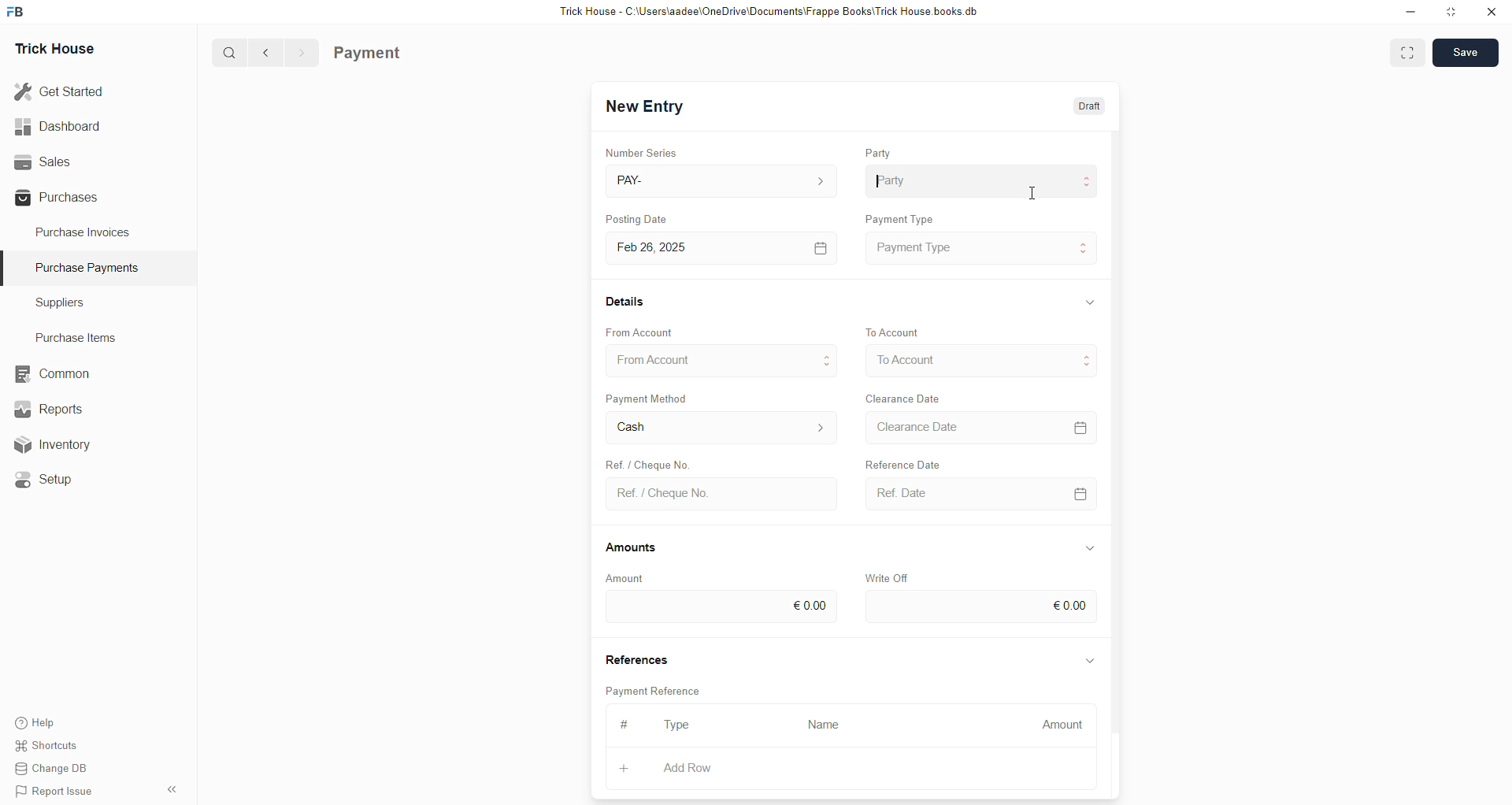 The width and height of the screenshot is (1512, 805). What do you see at coordinates (231, 53) in the screenshot?
I see `search` at bounding box center [231, 53].